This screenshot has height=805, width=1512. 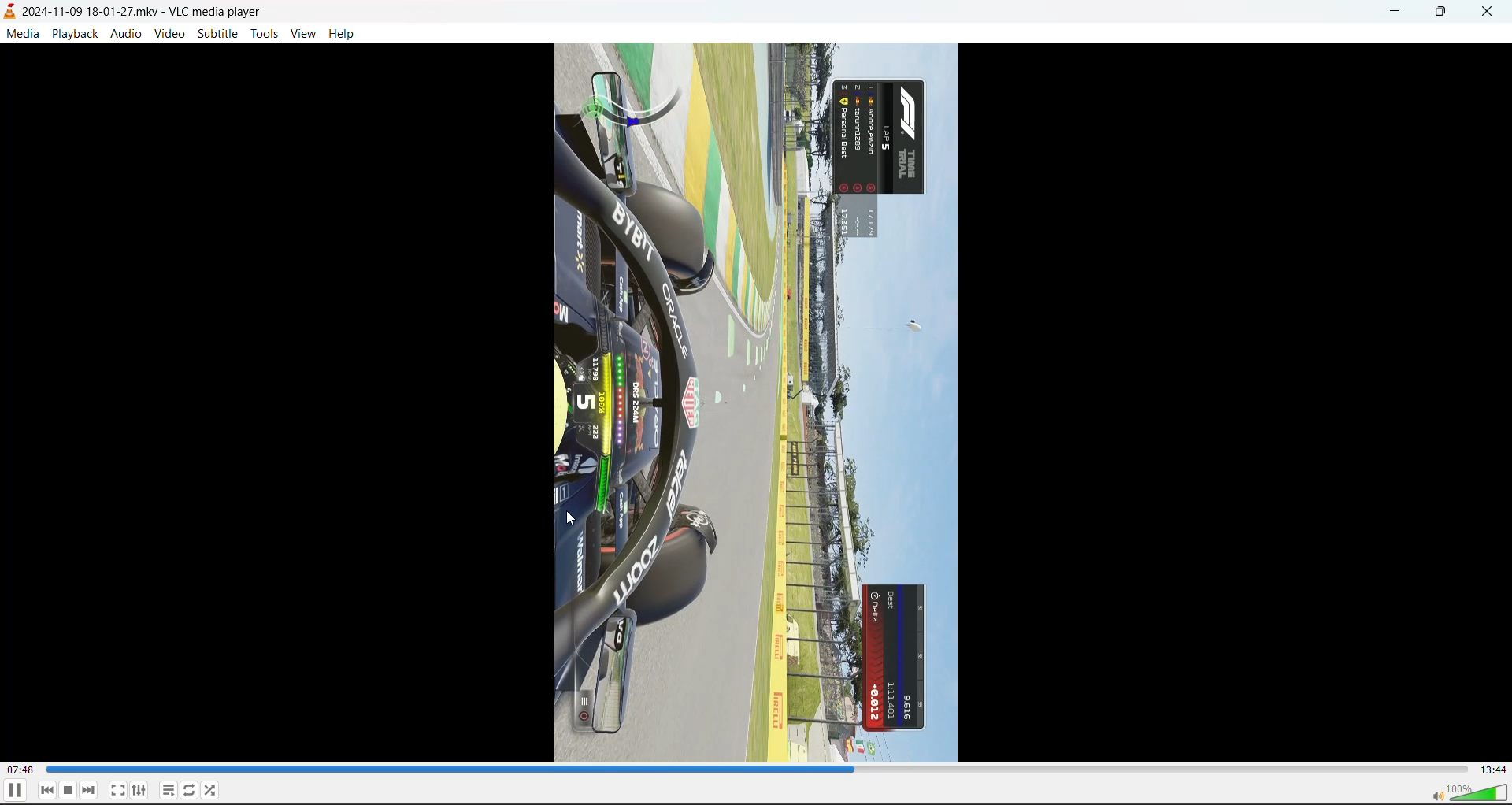 I want to click on volume, so click(x=1468, y=792).